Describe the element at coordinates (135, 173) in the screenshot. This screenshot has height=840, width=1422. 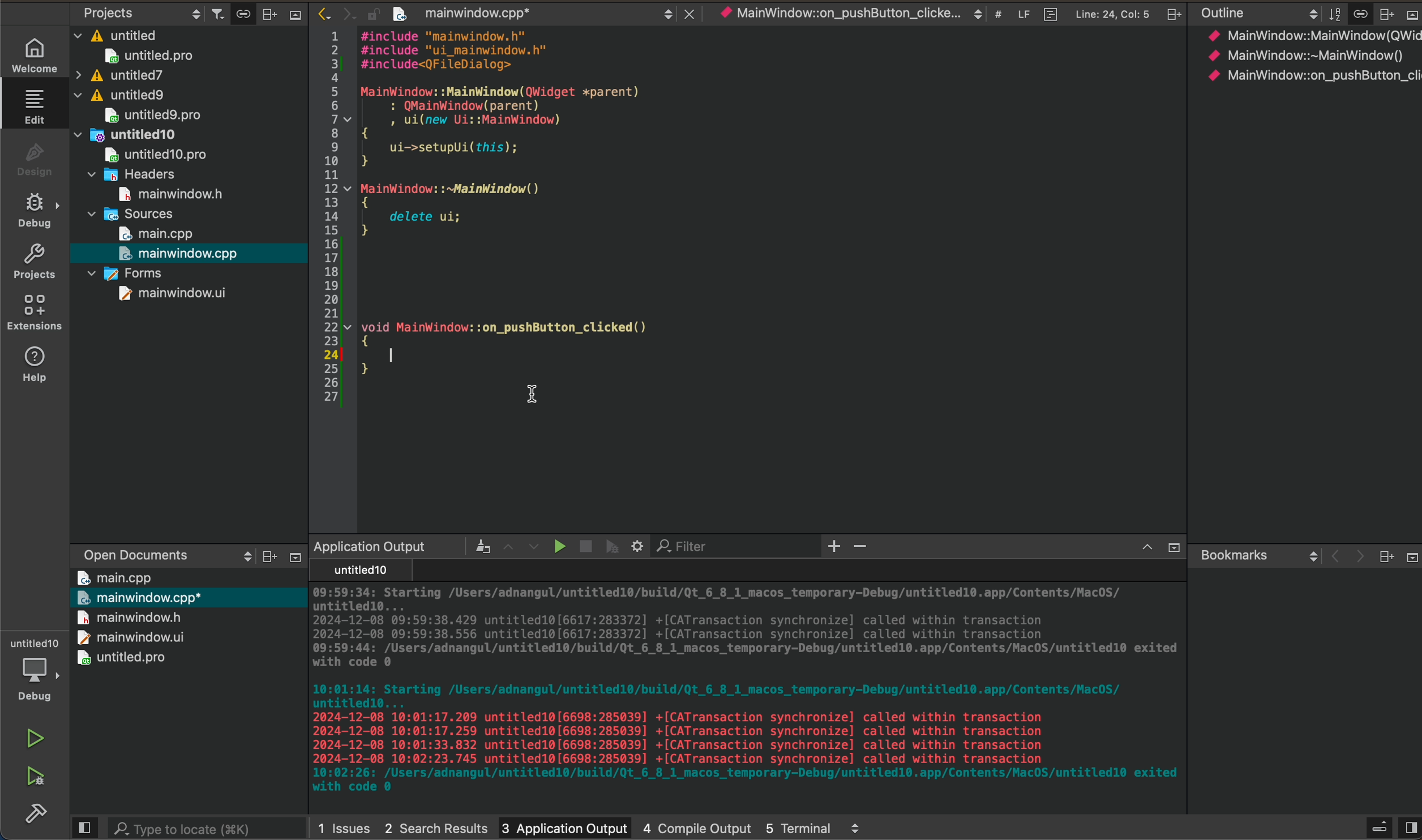
I see `Headers` at that location.